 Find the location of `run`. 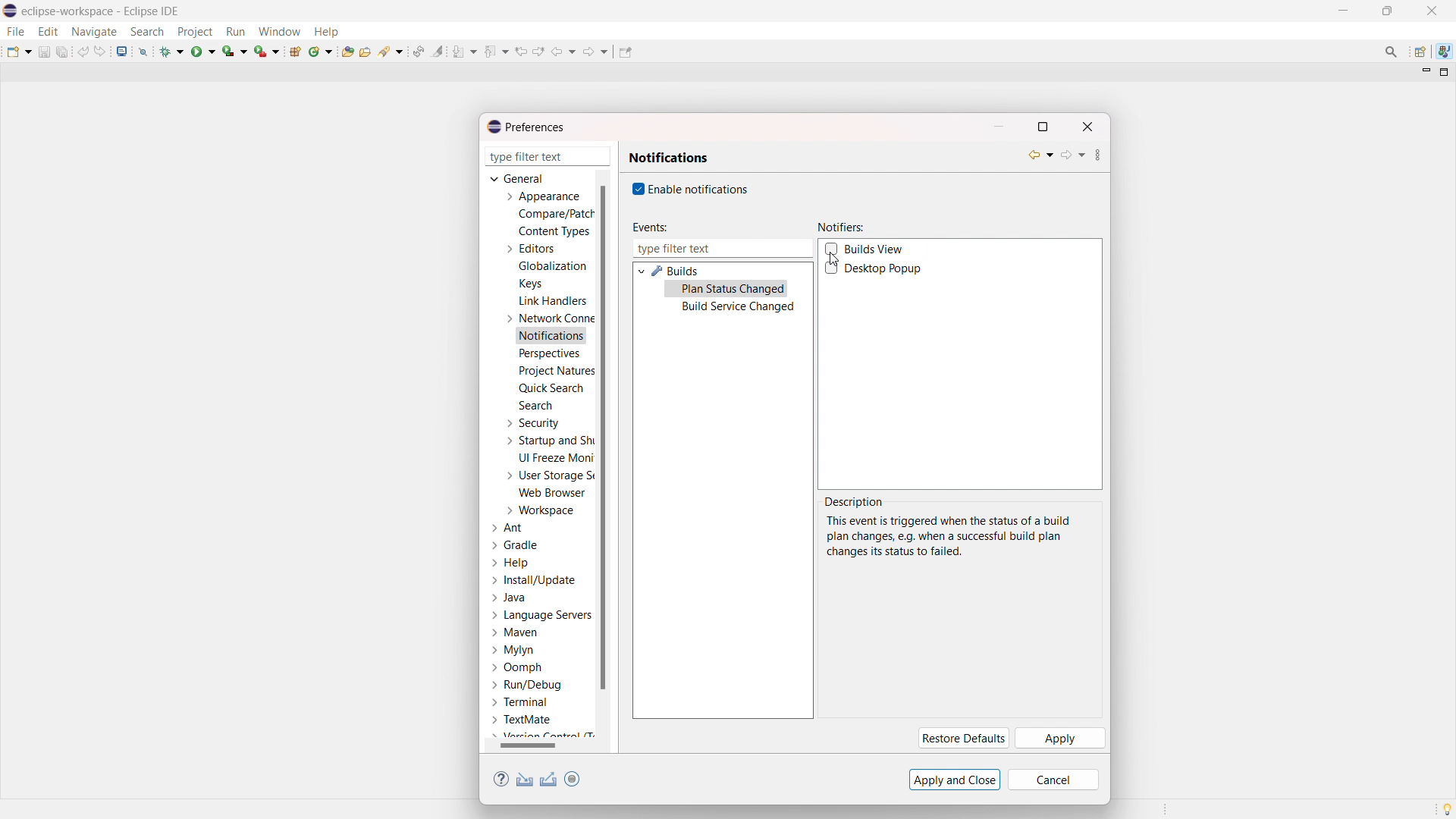

run is located at coordinates (203, 51).